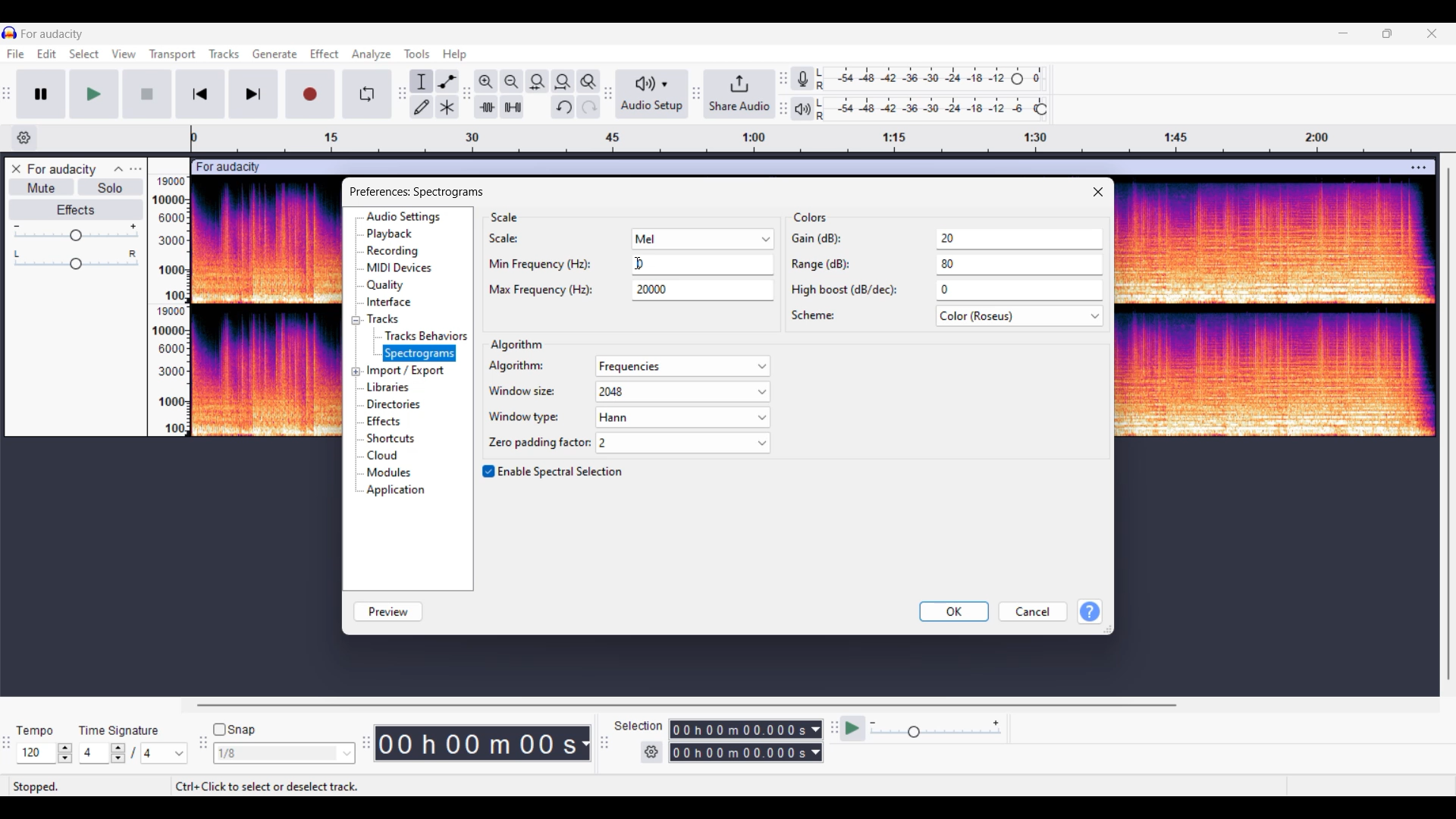 This screenshot has width=1456, height=819. I want to click on Section title, so click(516, 344).